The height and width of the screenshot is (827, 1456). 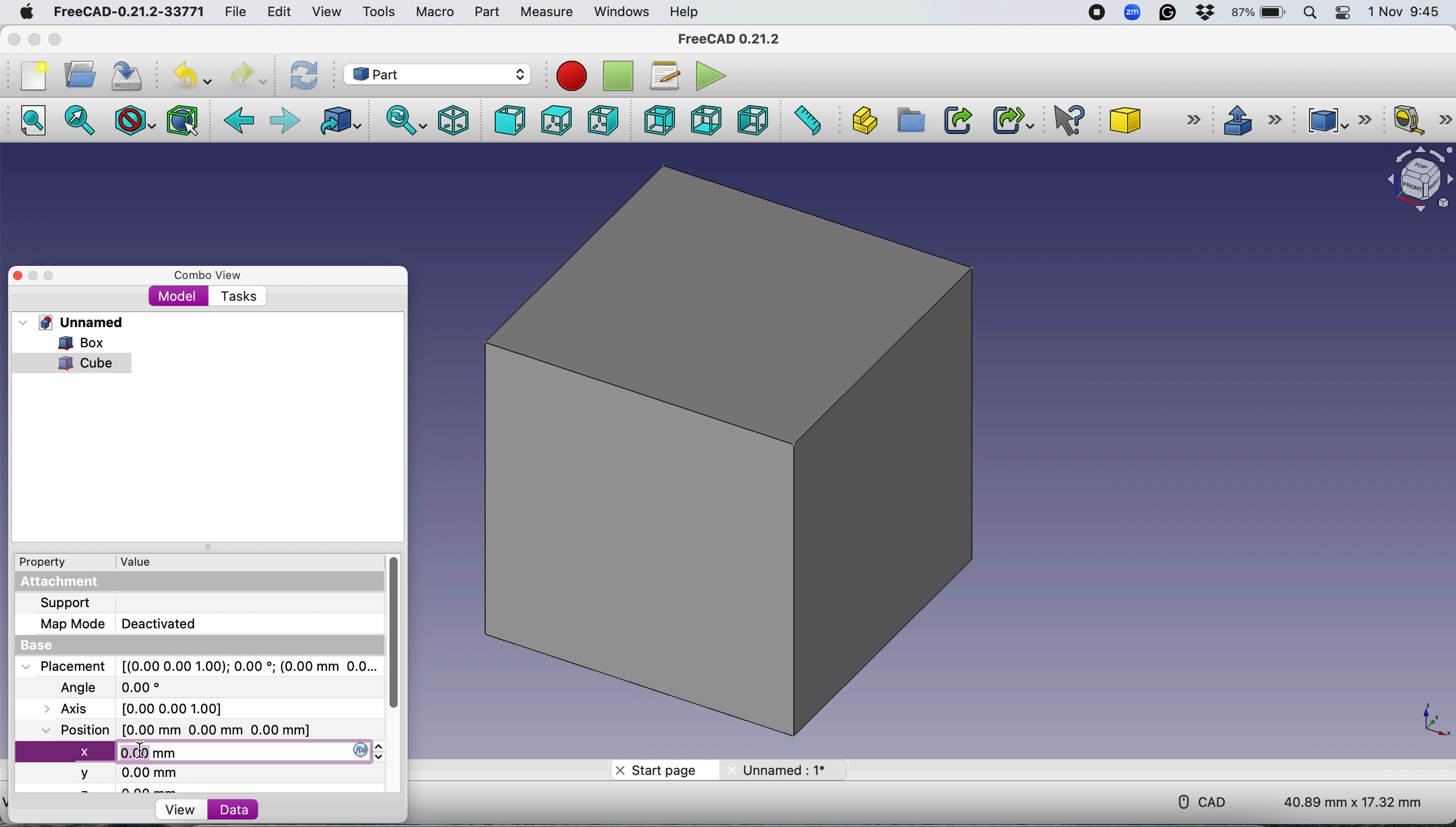 I want to click on Macros, so click(x=668, y=76).